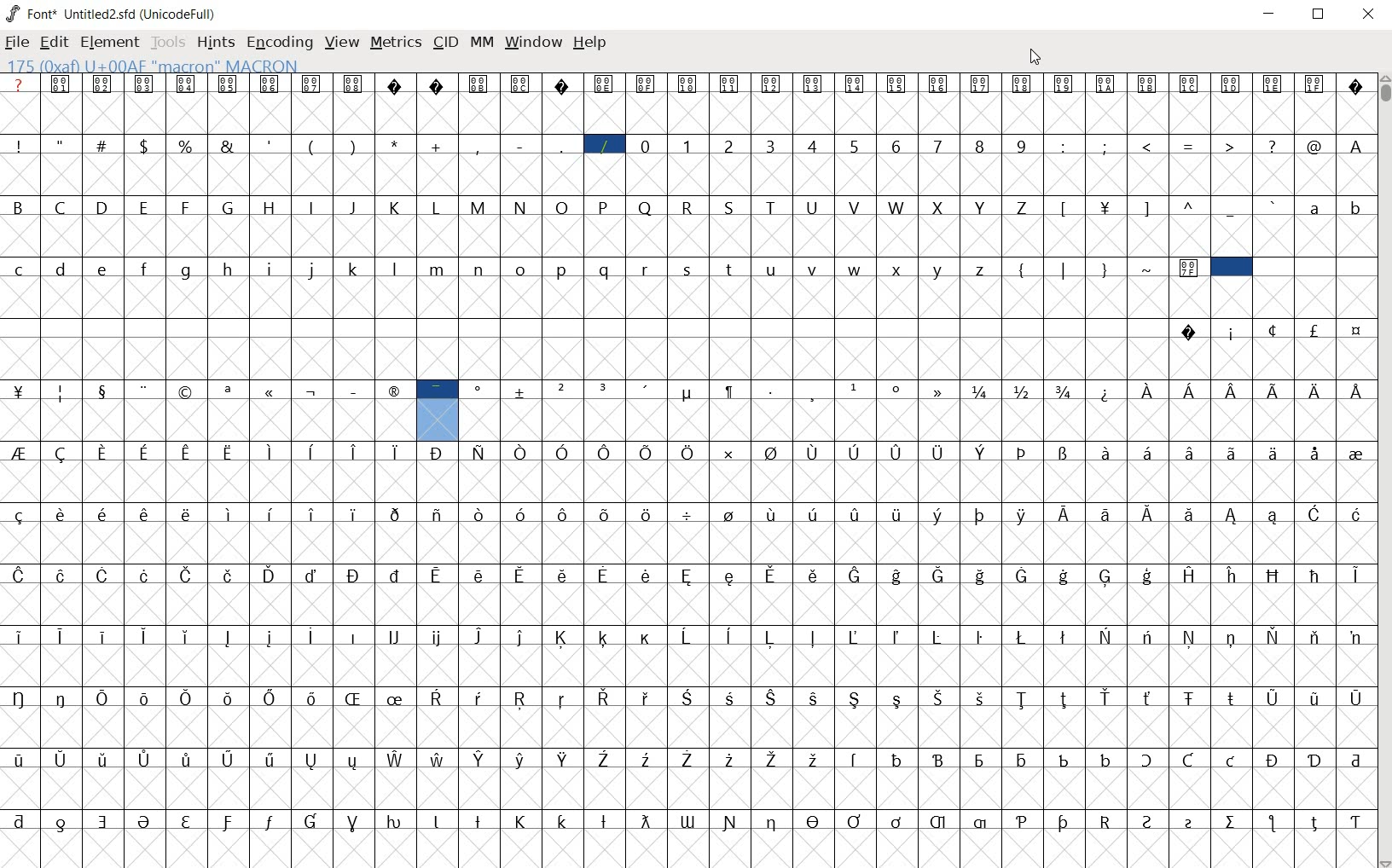 This screenshot has width=1392, height=868. I want to click on special characters, so click(1207, 223).